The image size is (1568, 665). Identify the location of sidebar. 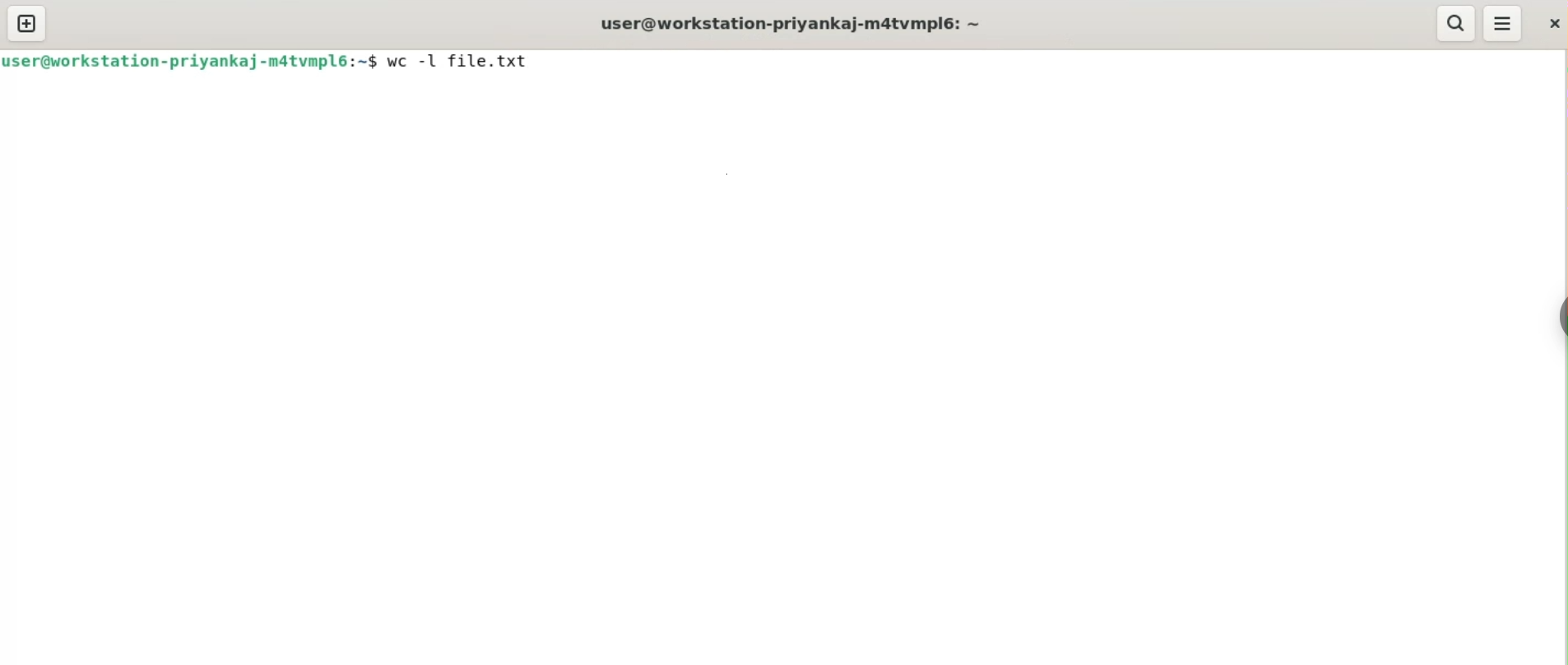
(1558, 316).